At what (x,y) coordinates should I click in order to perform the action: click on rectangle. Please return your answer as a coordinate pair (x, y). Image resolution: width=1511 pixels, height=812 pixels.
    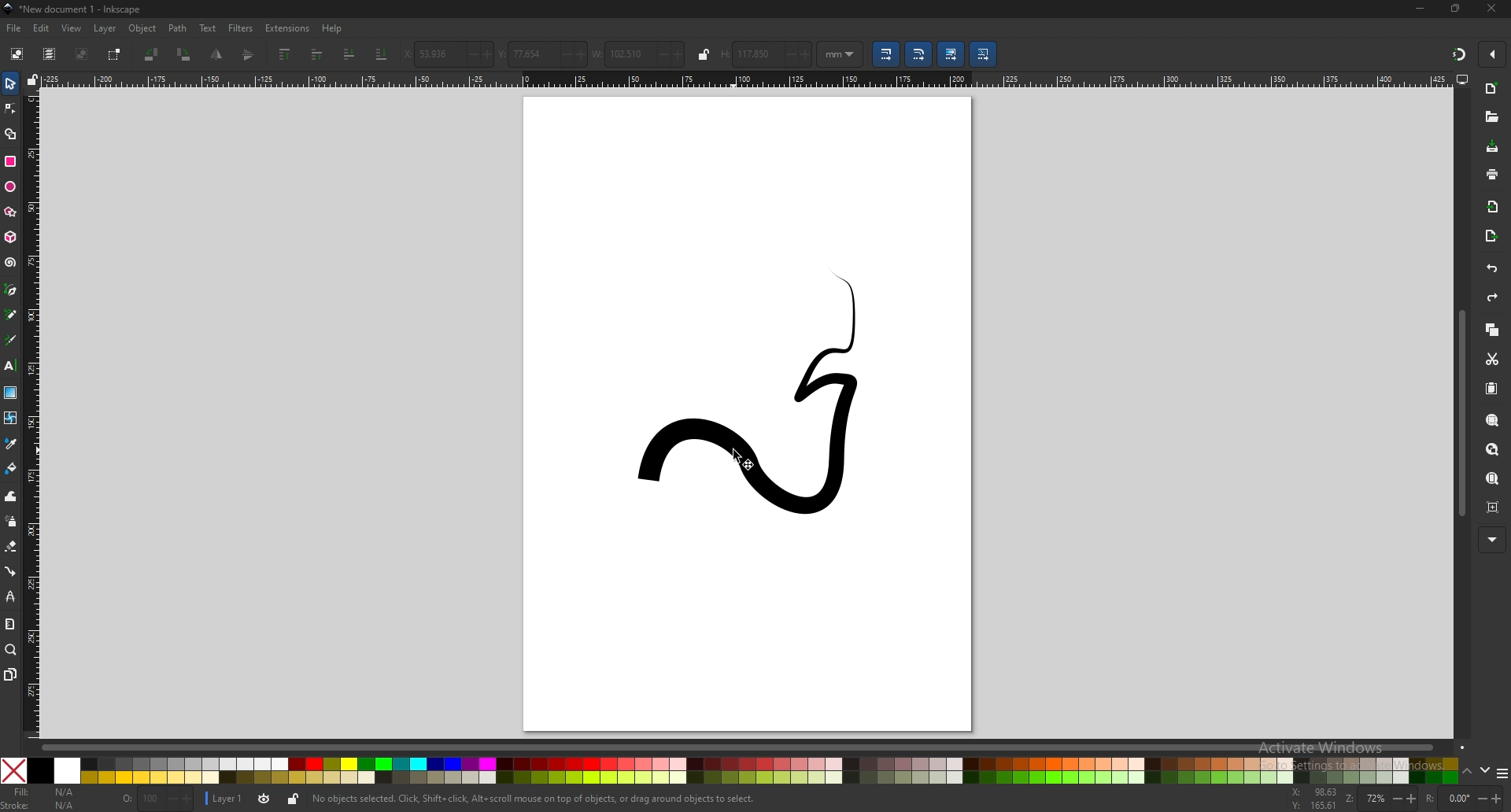
    Looking at the image, I should click on (10, 161).